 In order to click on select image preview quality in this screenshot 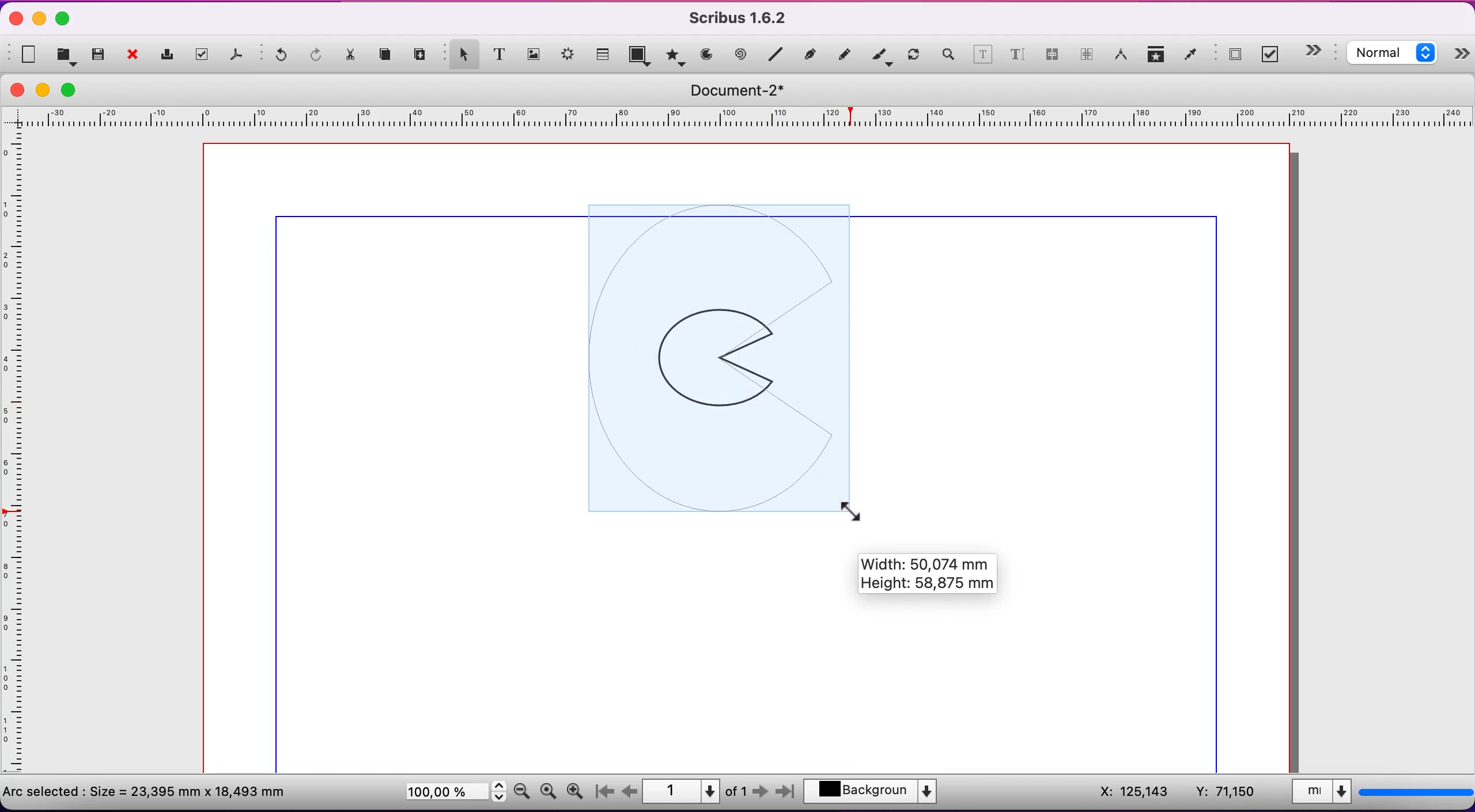, I will do `click(1395, 55)`.